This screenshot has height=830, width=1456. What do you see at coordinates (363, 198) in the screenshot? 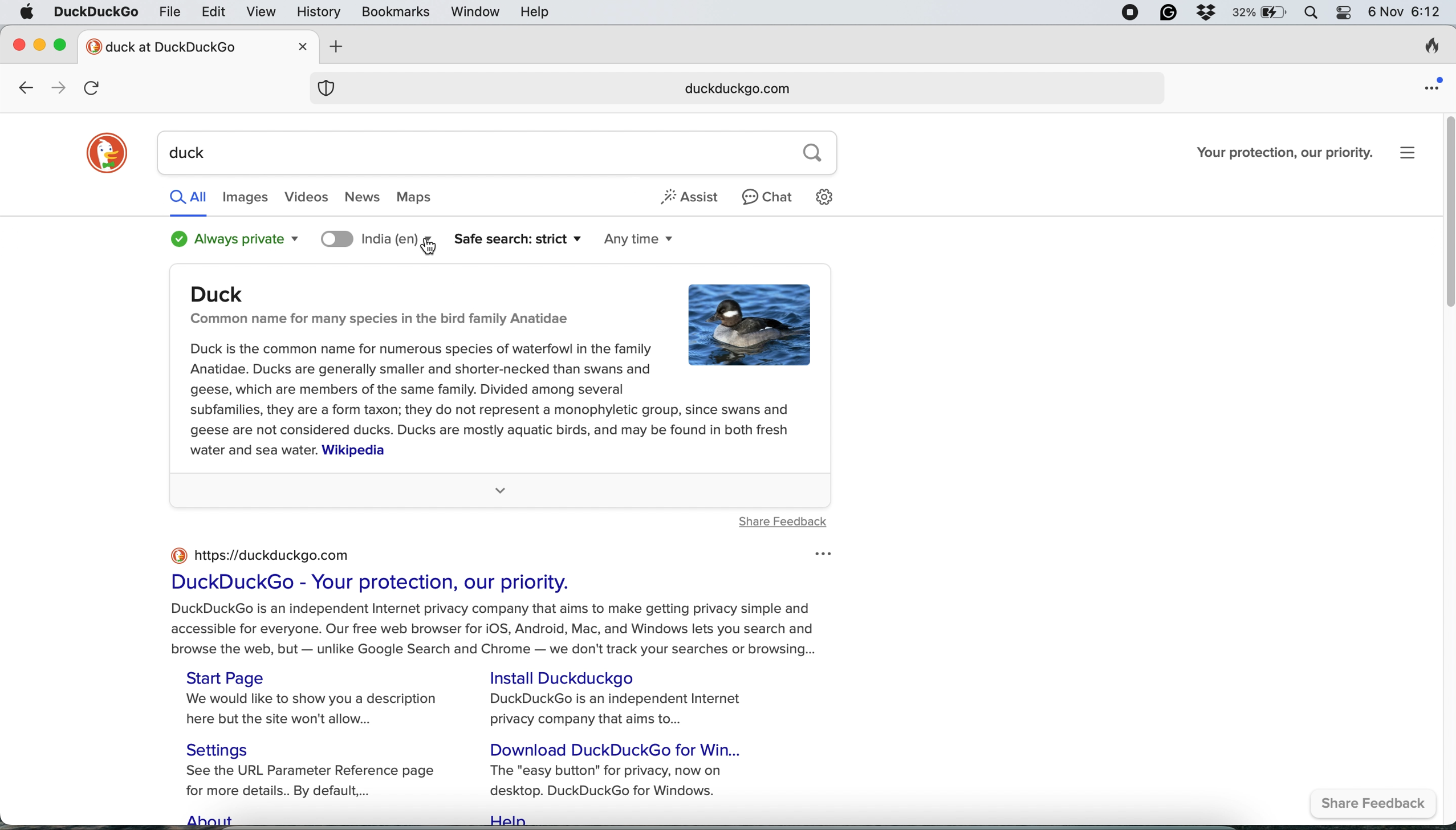
I see `news` at bounding box center [363, 198].